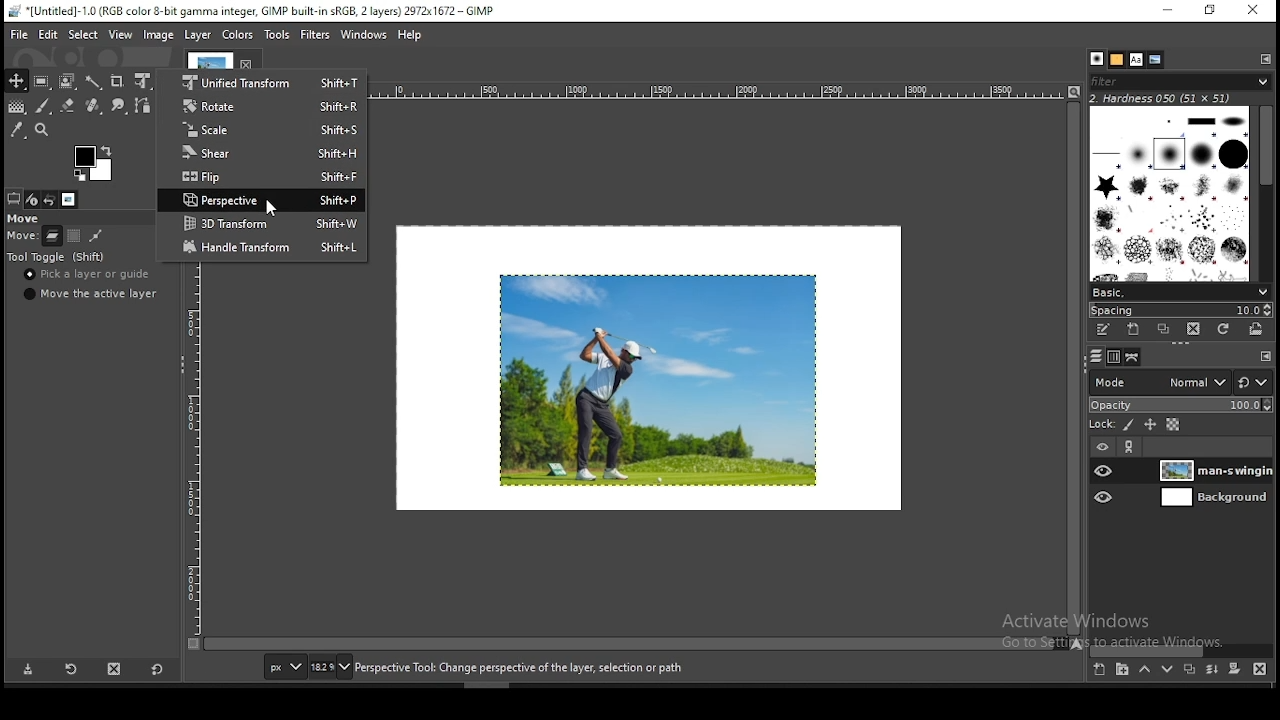 The width and height of the screenshot is (1280, 720). Describe the element at coordinates (1126, 424) in the screenshot. I see `lock pixels` at that location.